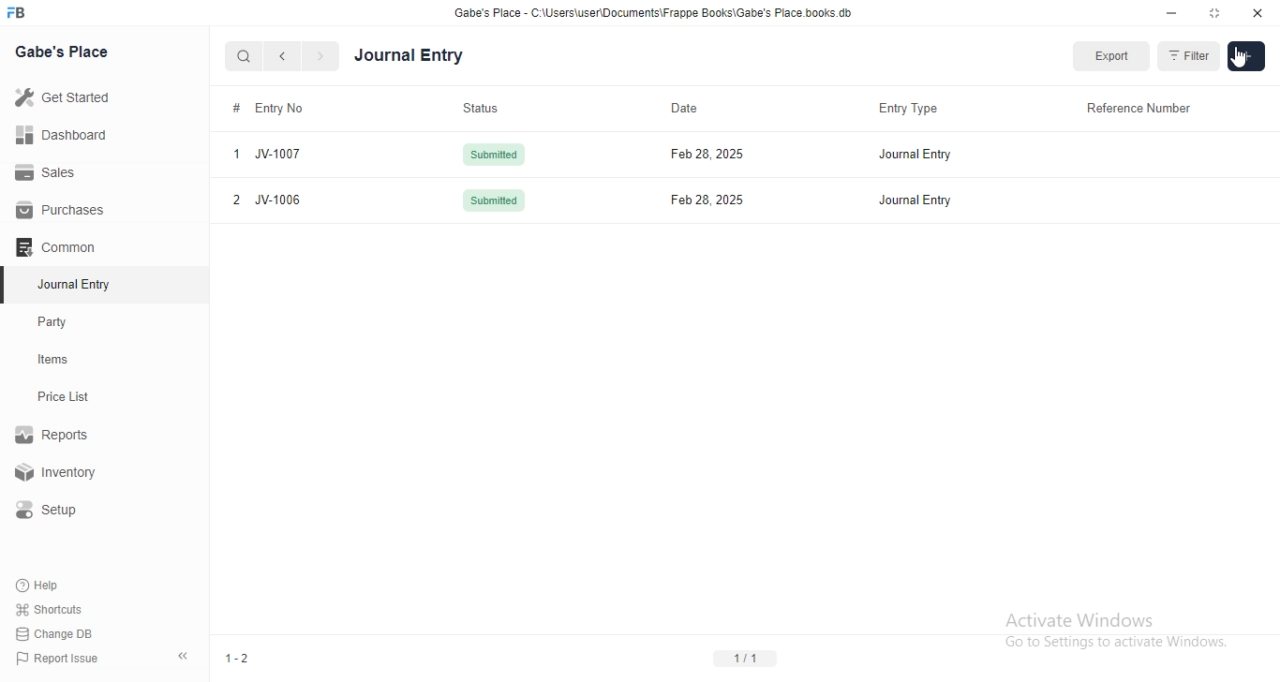 The image size is (1280, 682). I want to click on Entry Type, so click(903, 108).